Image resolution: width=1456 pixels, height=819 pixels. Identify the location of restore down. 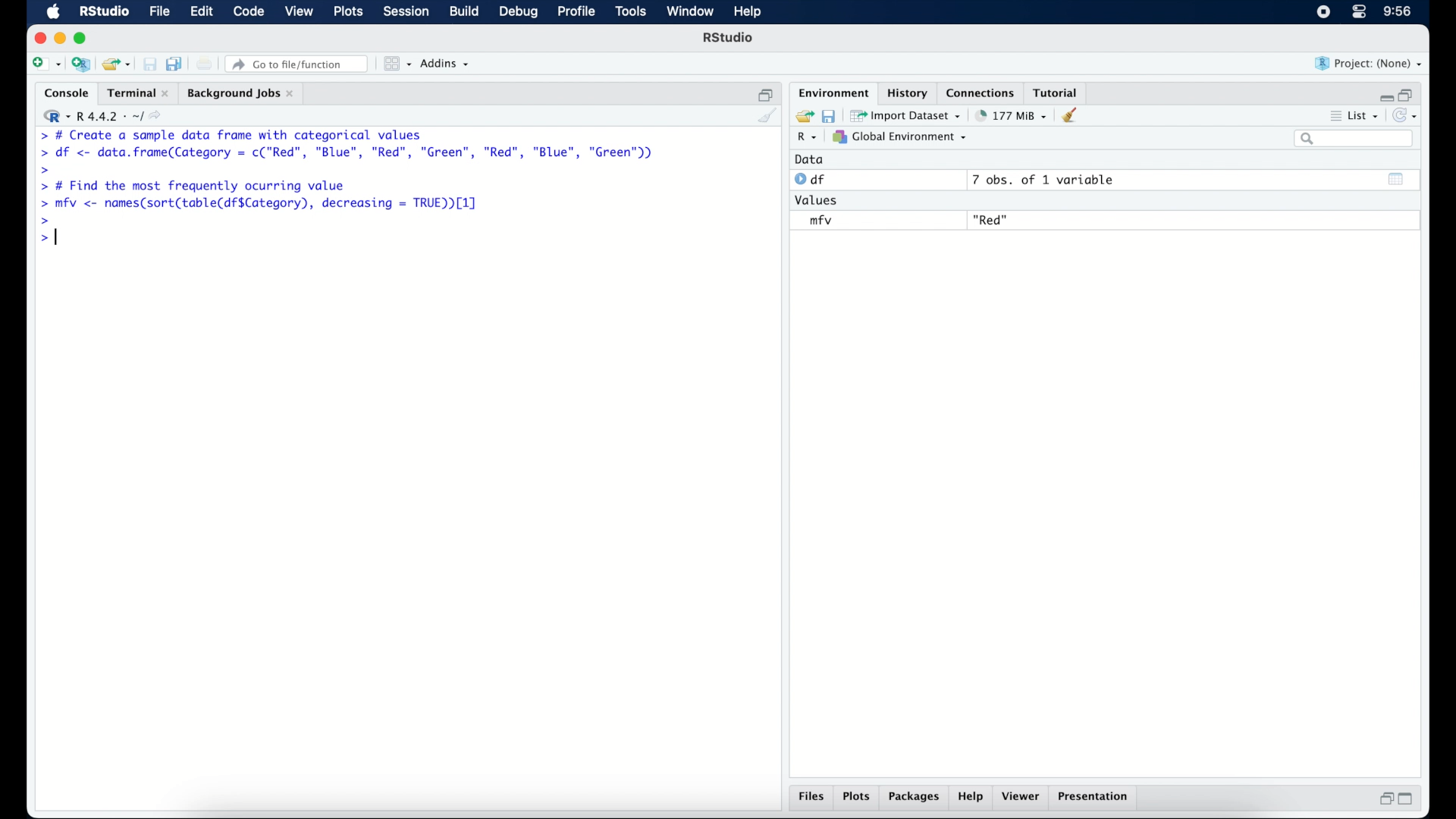
(1384, 799).